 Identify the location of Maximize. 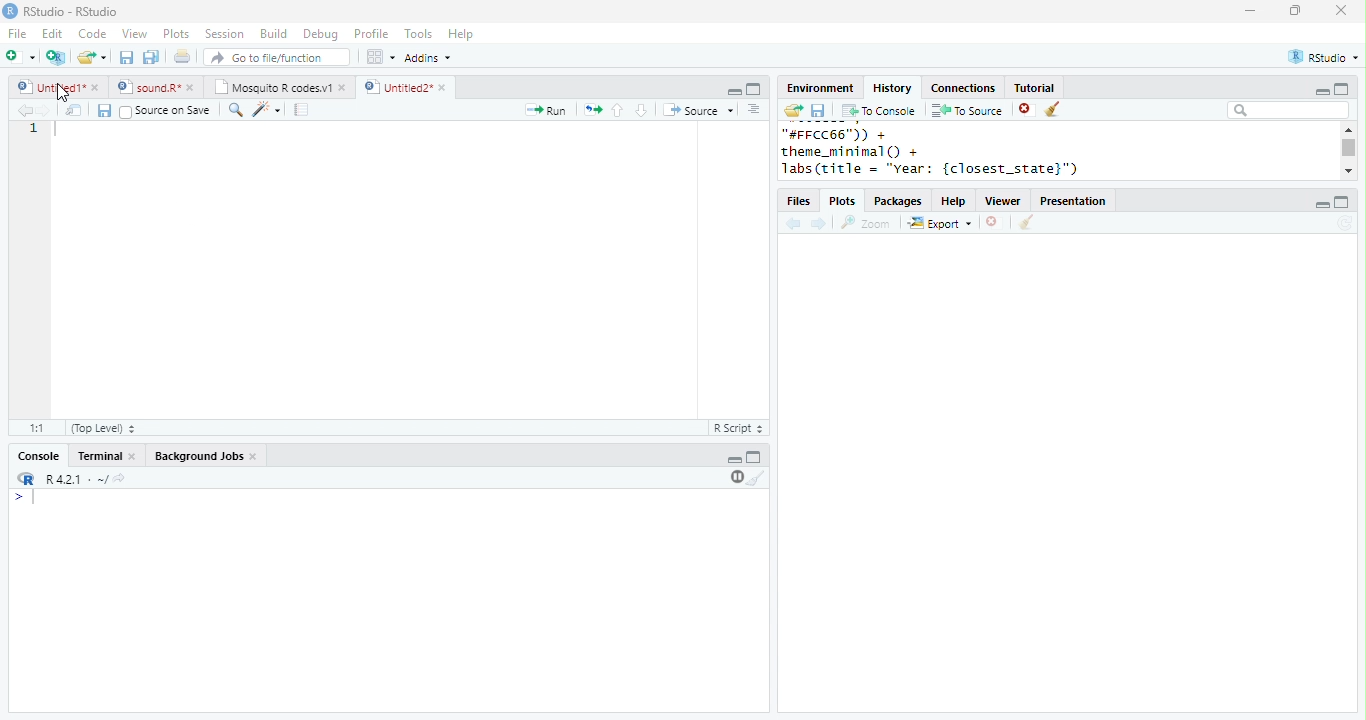
(754, 89).